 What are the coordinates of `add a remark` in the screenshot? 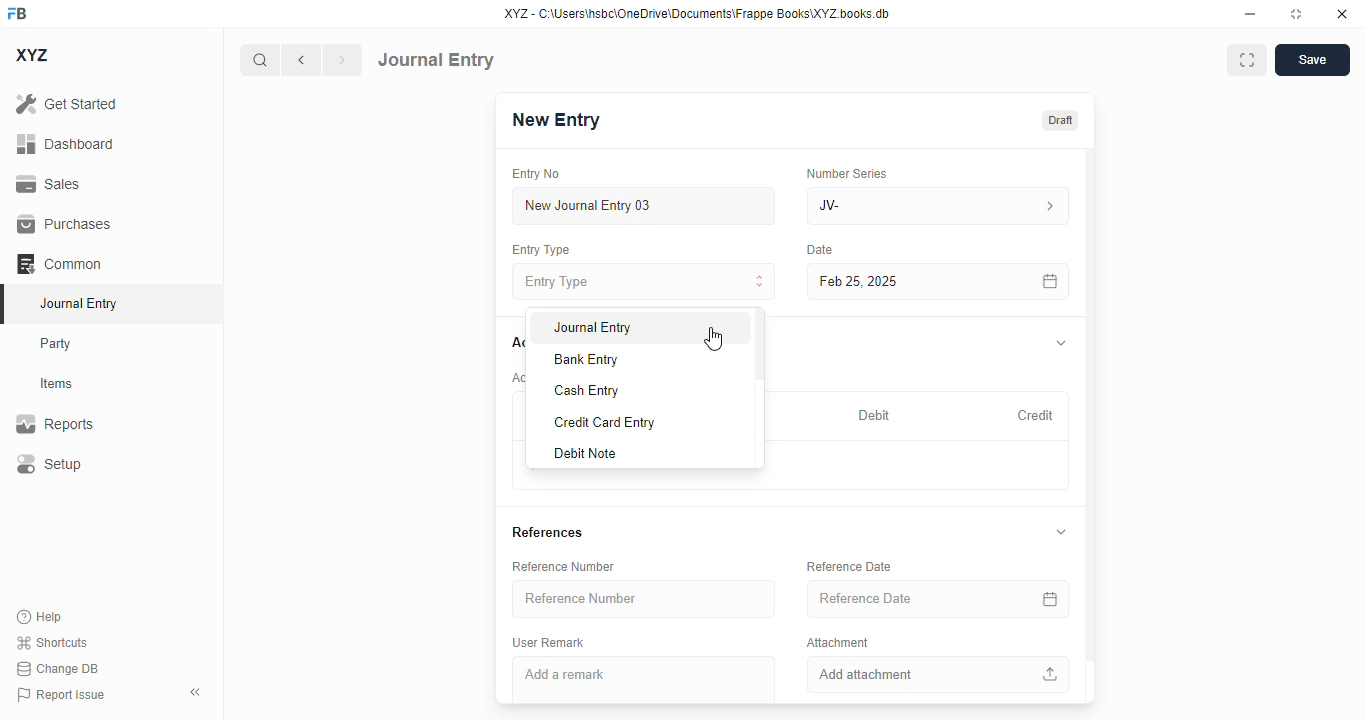 It's located at (644, 680).